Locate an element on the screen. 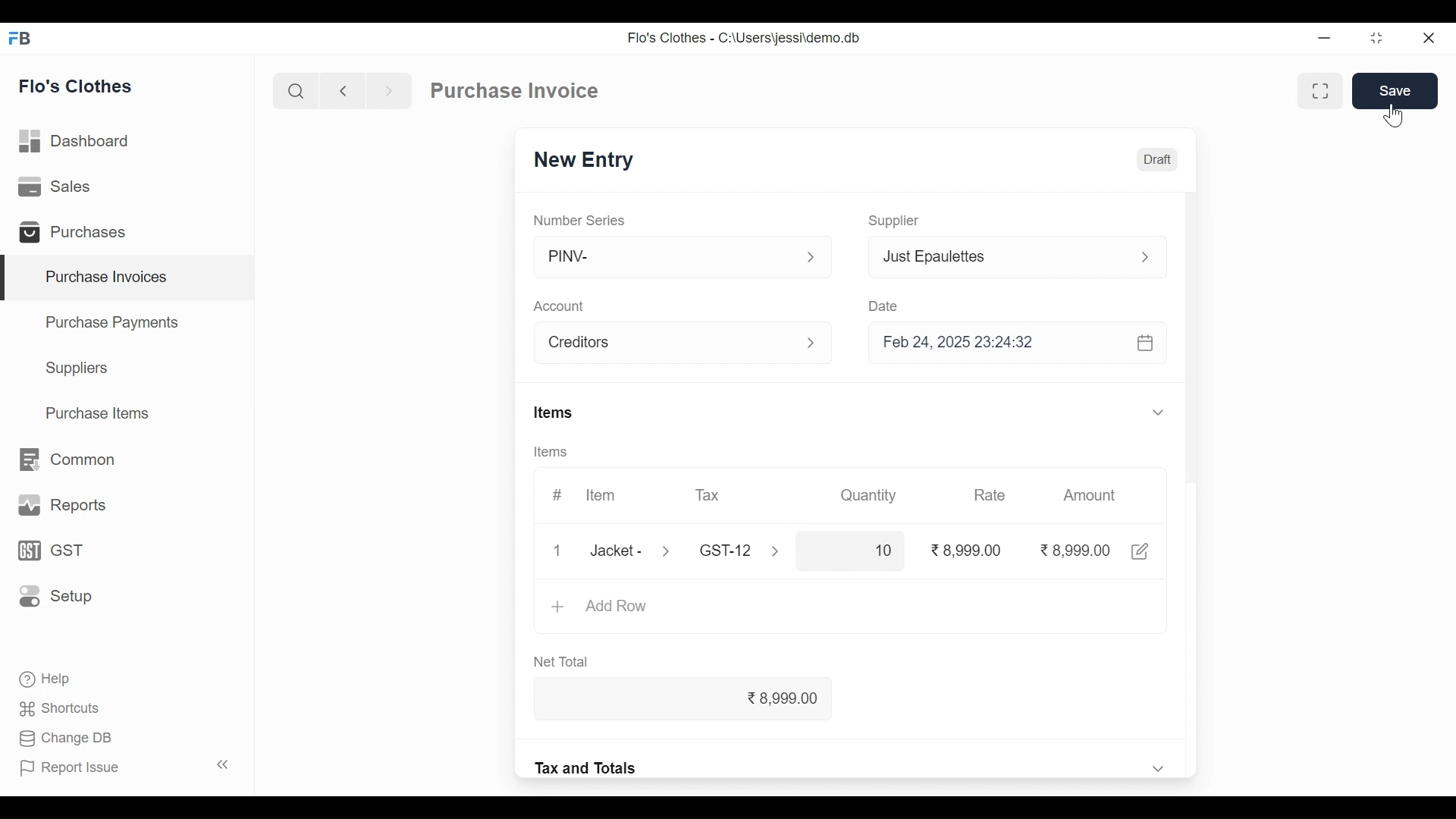  Account is located at coordinates (669, 342).